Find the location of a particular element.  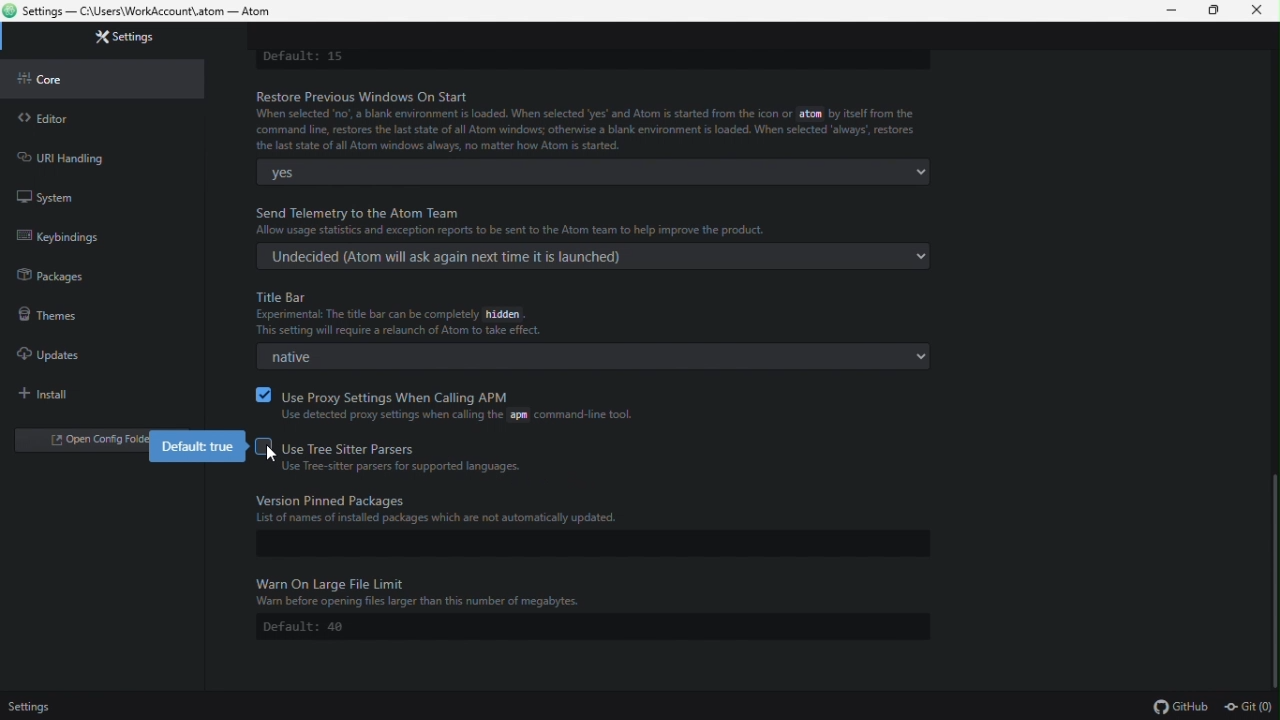

Send Telemetry to the Atom Team is located at coordinates (604, 217).